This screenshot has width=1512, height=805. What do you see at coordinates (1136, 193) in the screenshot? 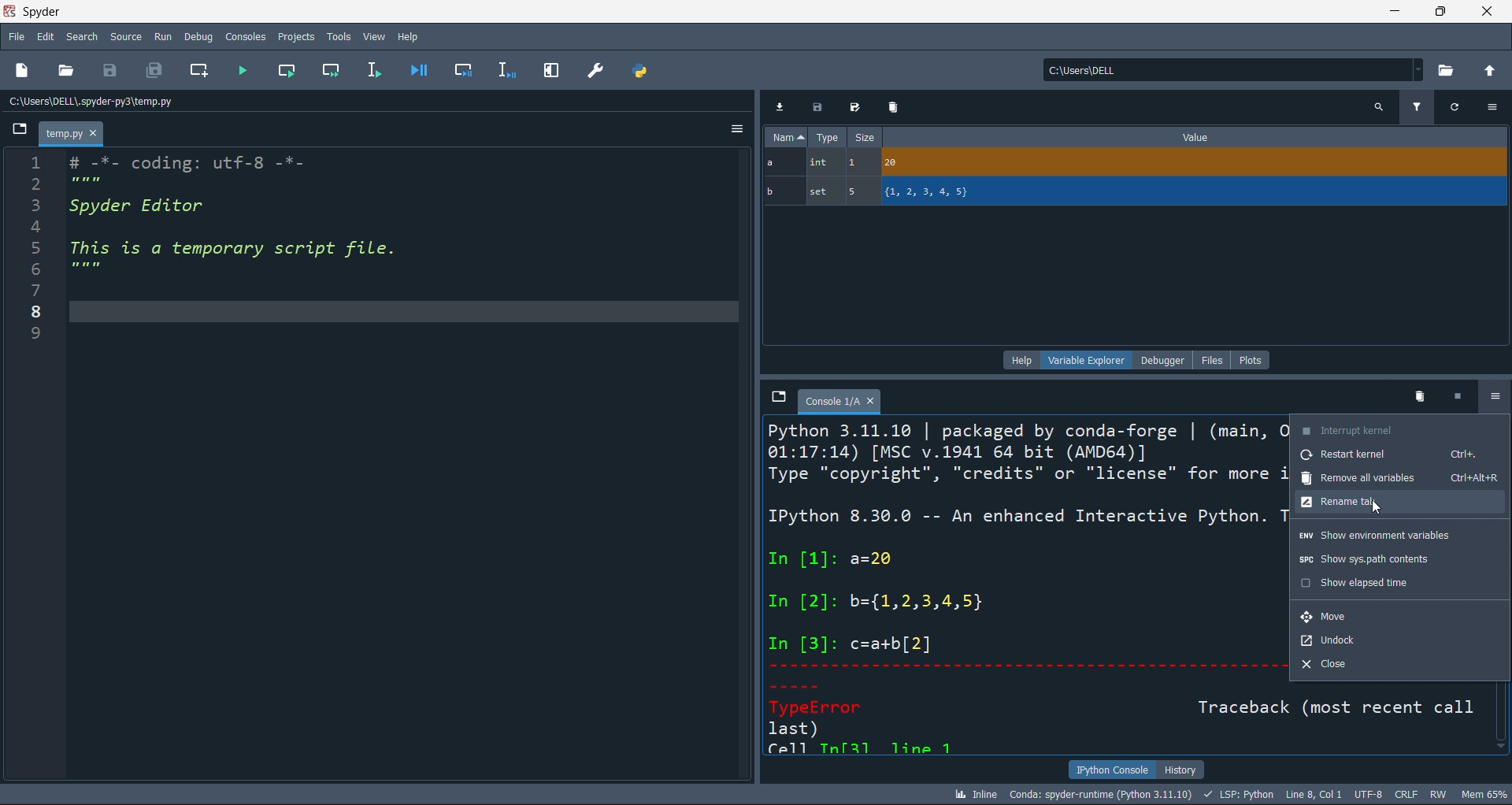
I see `b, set, 5, {1,2,3,4,5}` at bounding box center [1136, 193].